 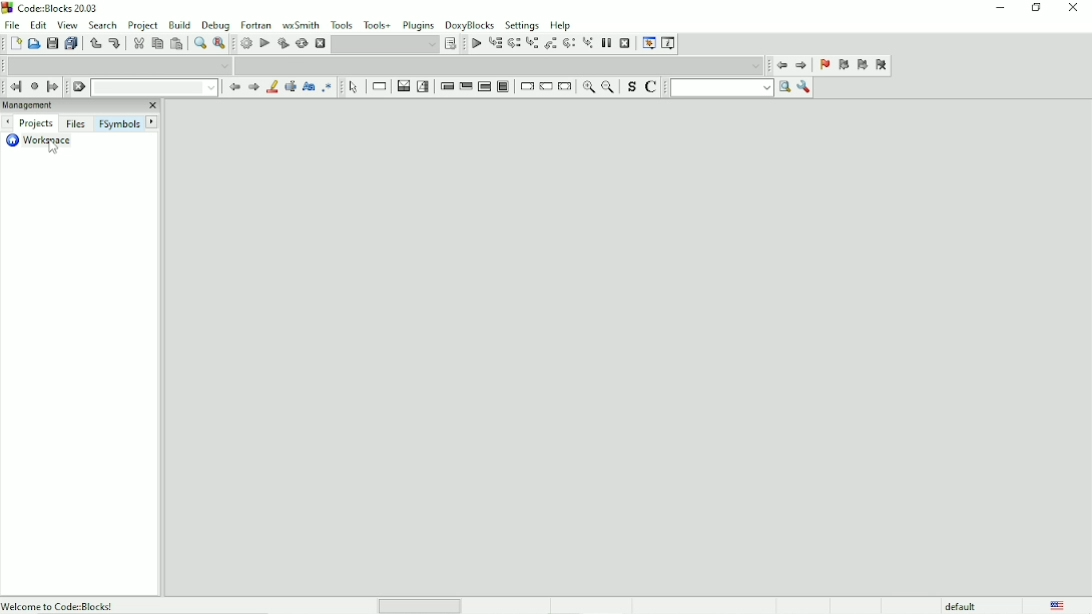 What do you see at coordinates (569, 44) in the screenshot?
I see `Next instruction` at bounding box center [569, 44].